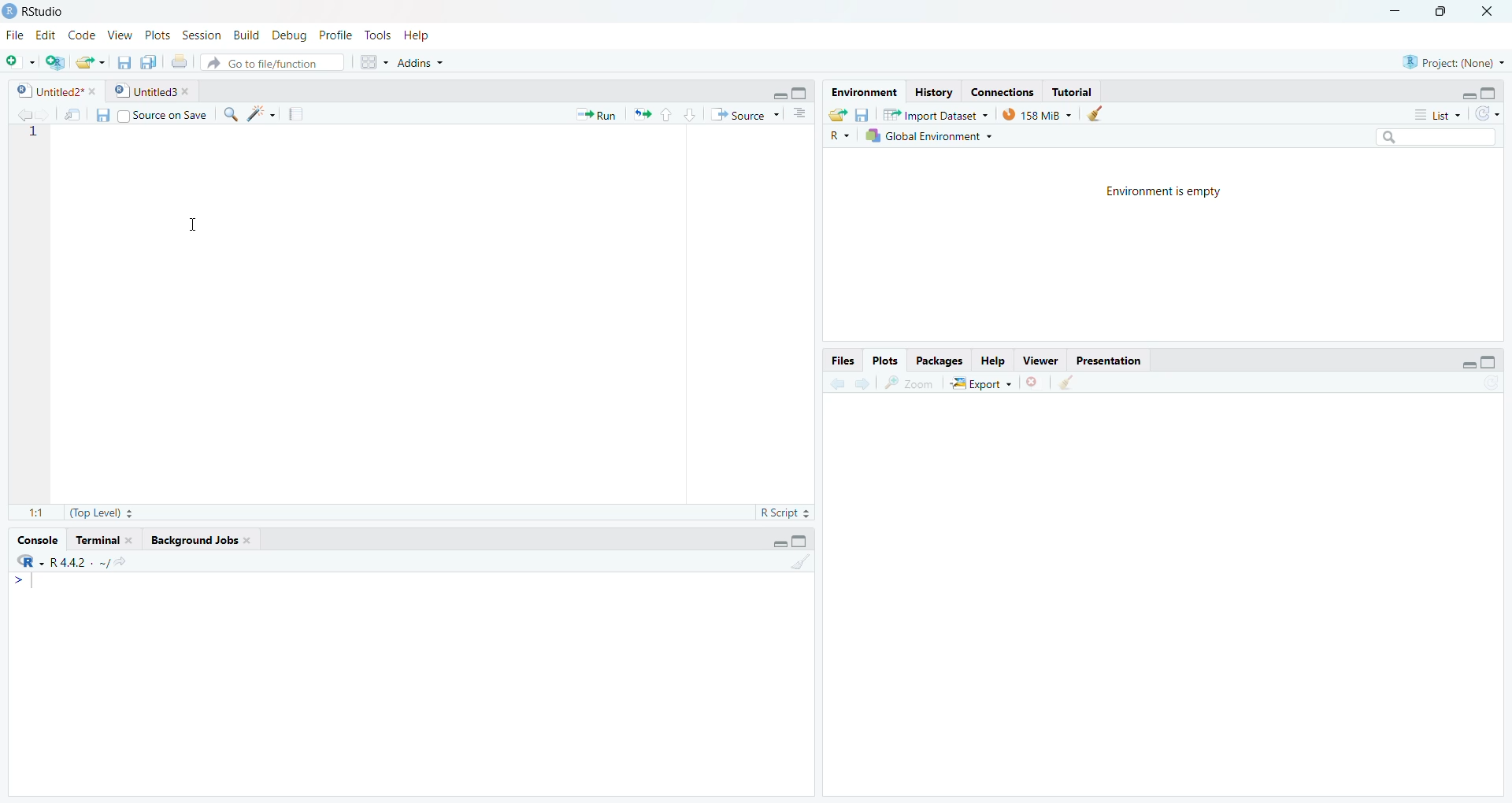 The width and height of the screenshot is (1512, 803). I want to click on Refresh, so click(1492, 115).